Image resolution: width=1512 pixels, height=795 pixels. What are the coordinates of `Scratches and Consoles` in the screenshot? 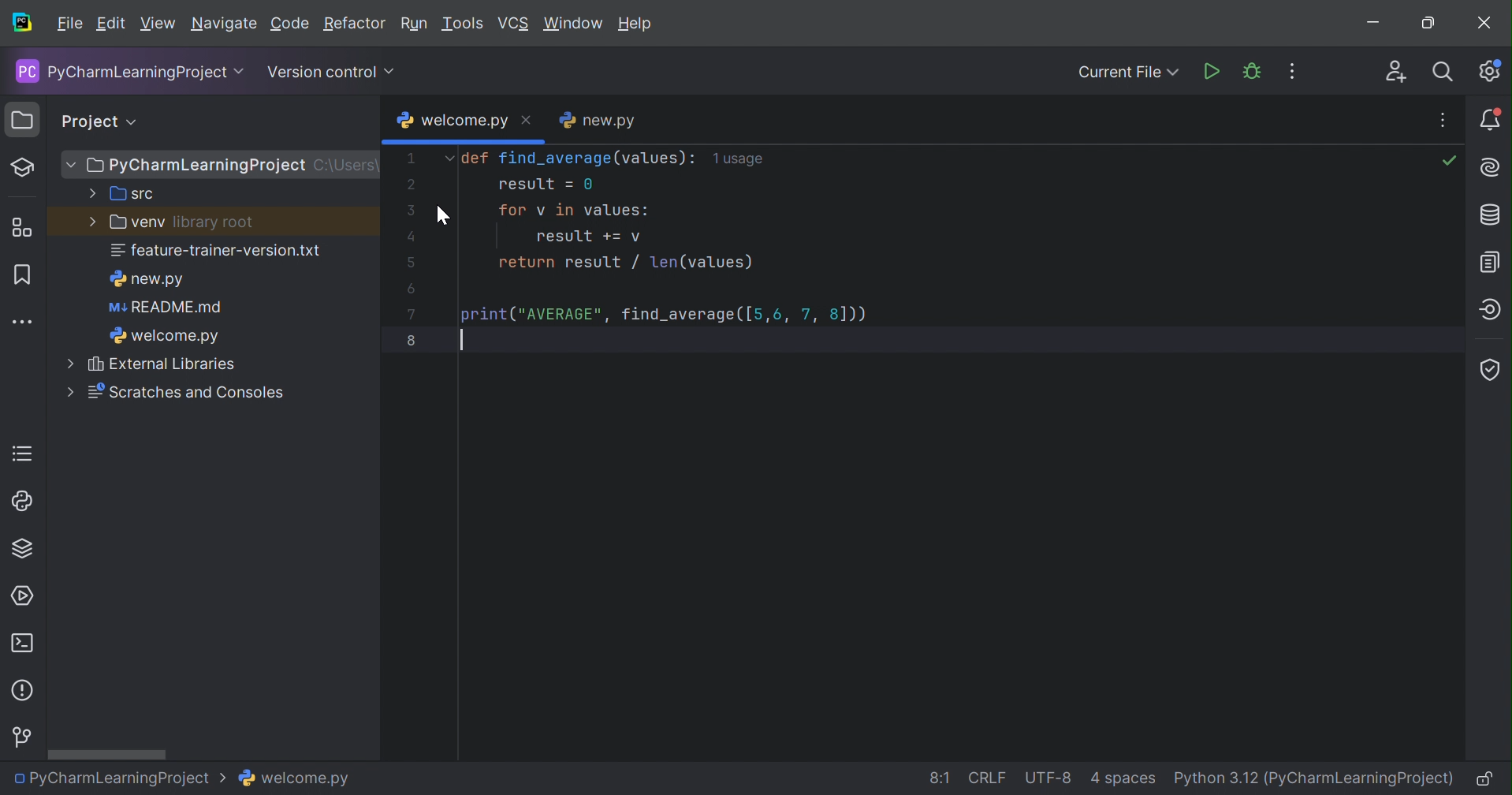 It's located at (174, 394).